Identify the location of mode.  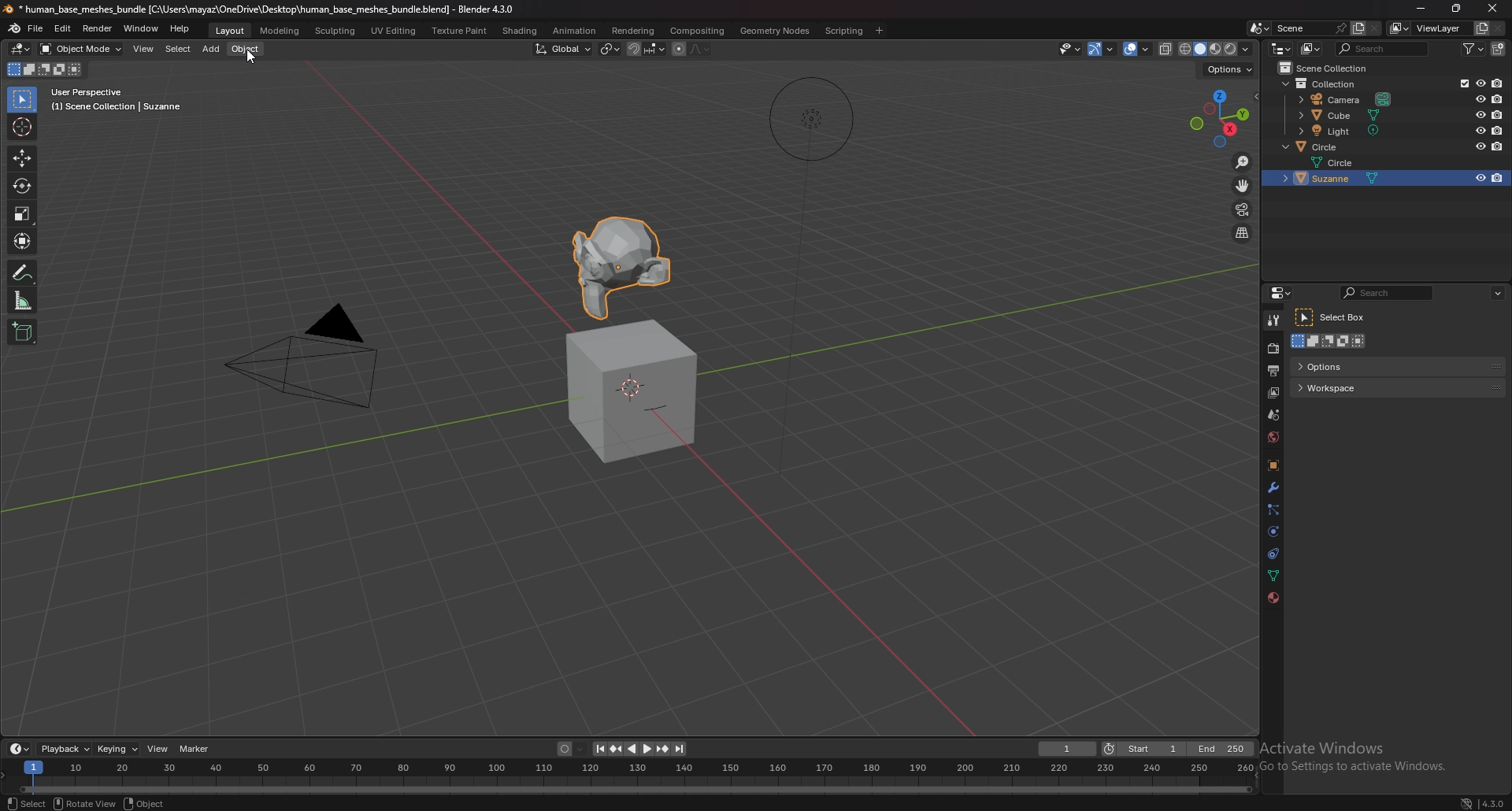
(47, 69).